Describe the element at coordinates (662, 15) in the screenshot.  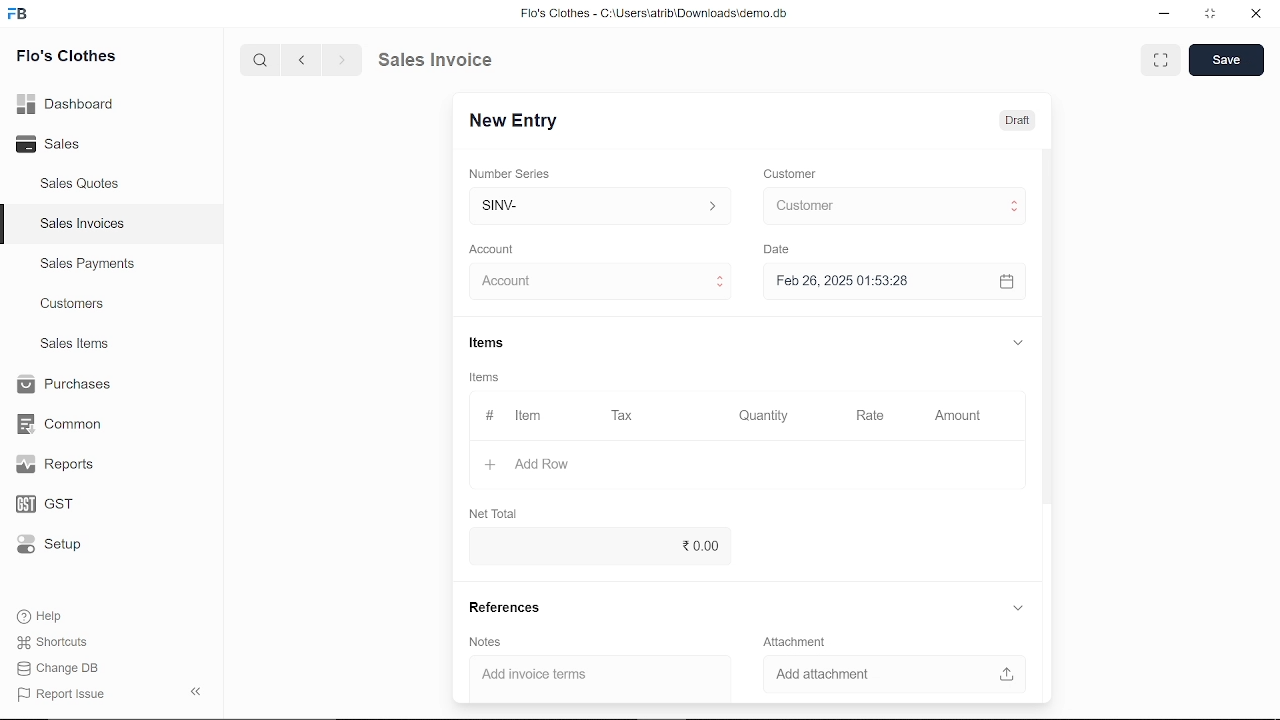
I see `Flo's Clothes - C:\UsersatribiDownloads\demo.do` at that location.